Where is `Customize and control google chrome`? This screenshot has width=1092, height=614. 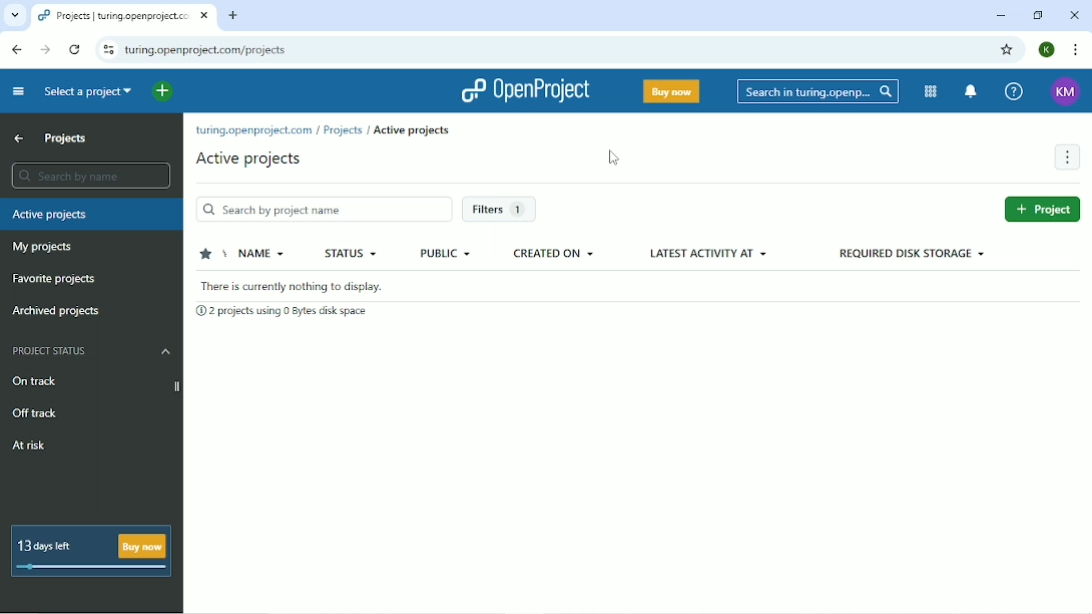
Customize and control google chrome is located at coordinates (1072, 50).